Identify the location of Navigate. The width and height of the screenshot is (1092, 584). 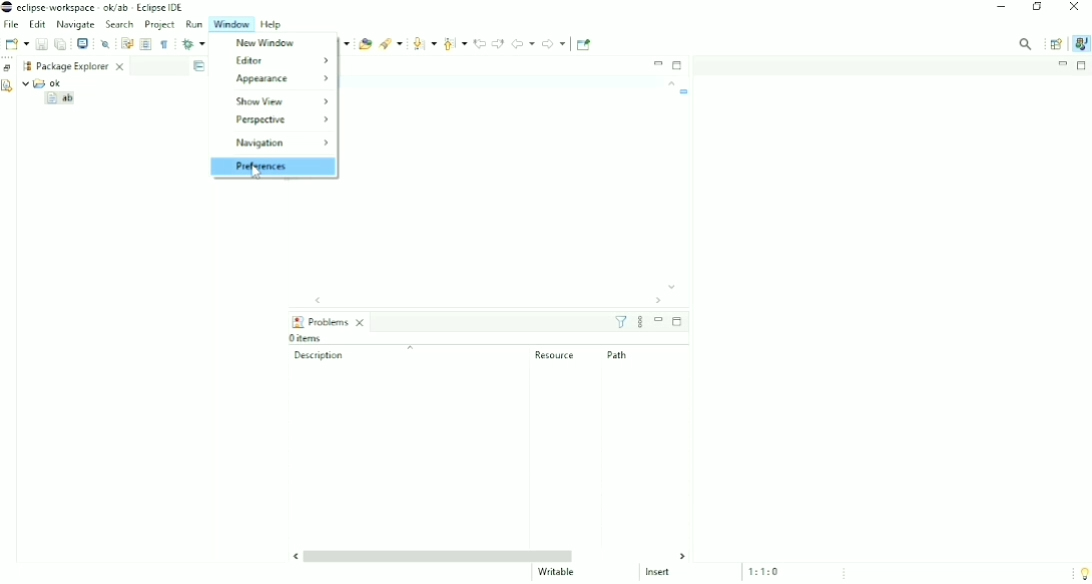
(75, 25).